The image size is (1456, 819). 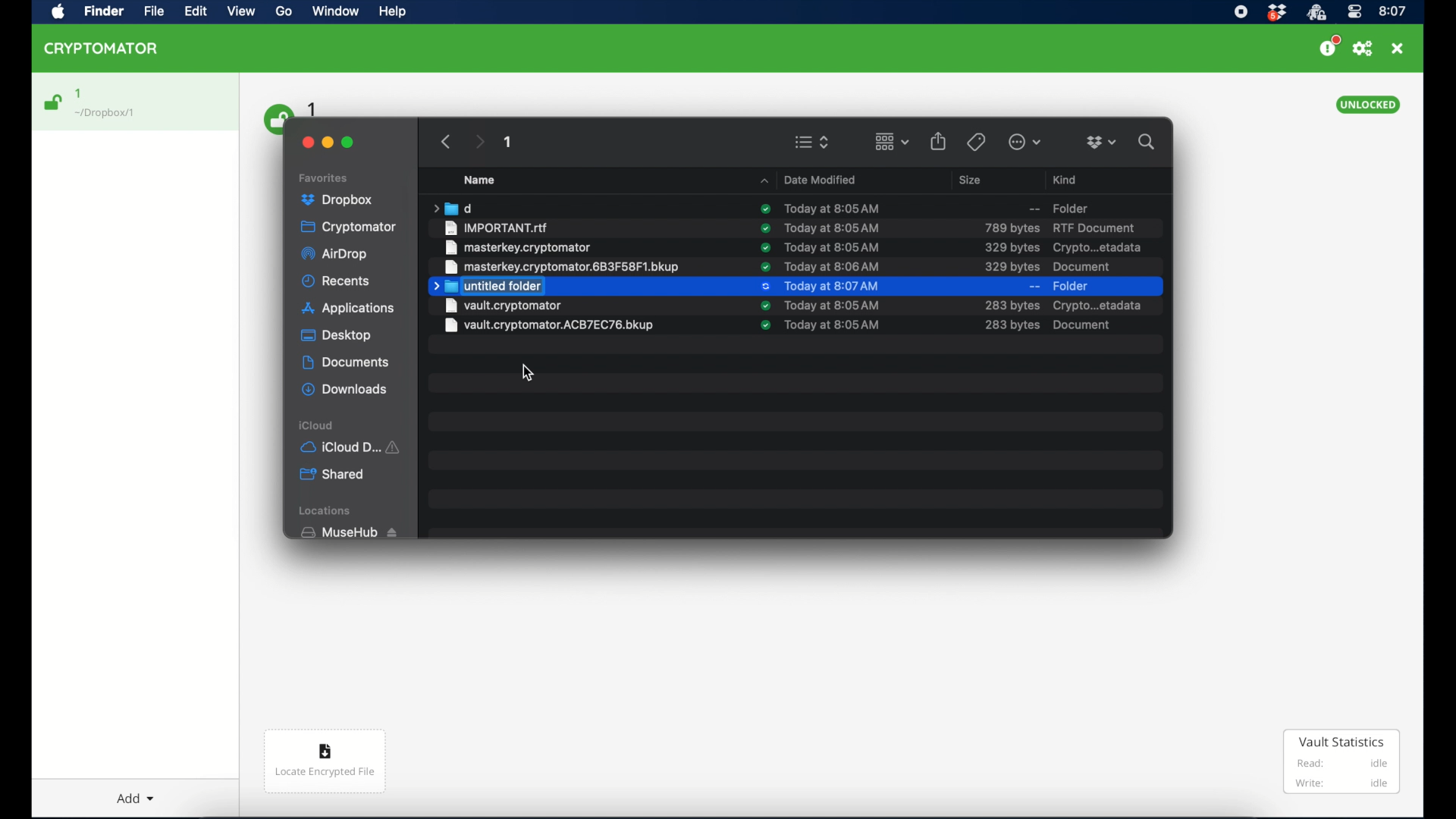 What do you see at coordinates (394, 14) in the screenshot?
I see `Help` at bounding box center [394, 14].